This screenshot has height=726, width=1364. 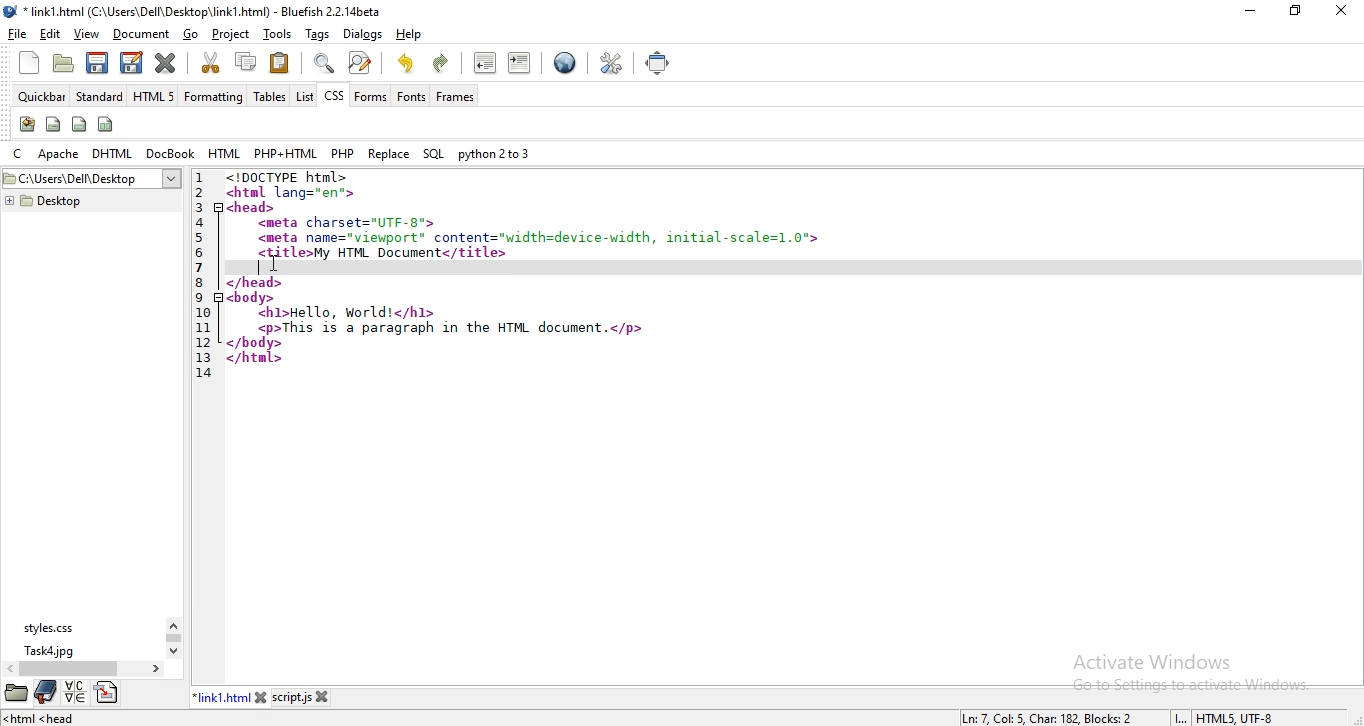 What do you see at coordinates (20, 154) in the screenshot?
I see `c` at bounding box center [20, 154].